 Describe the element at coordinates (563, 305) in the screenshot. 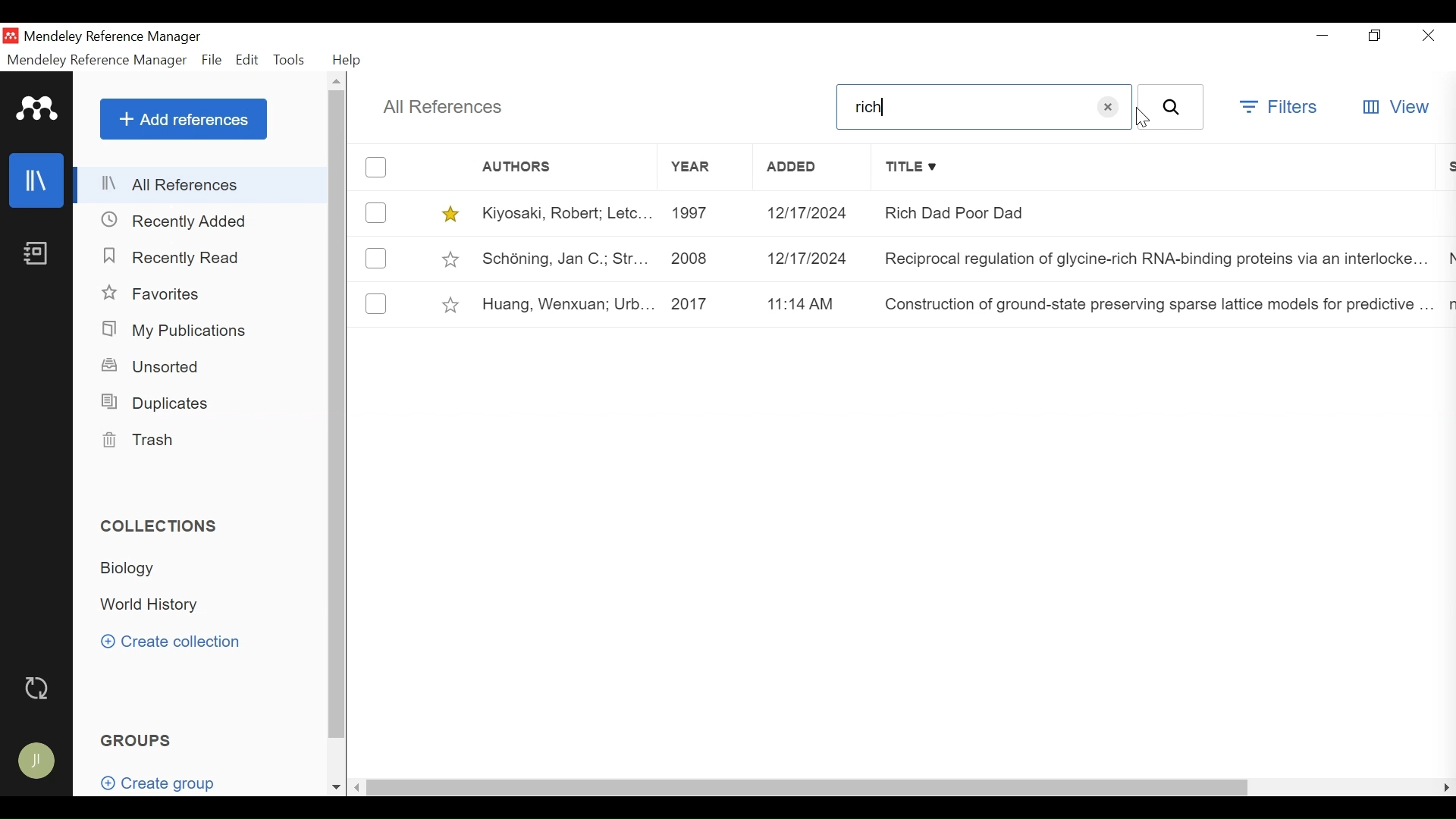

I see `Huang, Wenxuan` at that location.